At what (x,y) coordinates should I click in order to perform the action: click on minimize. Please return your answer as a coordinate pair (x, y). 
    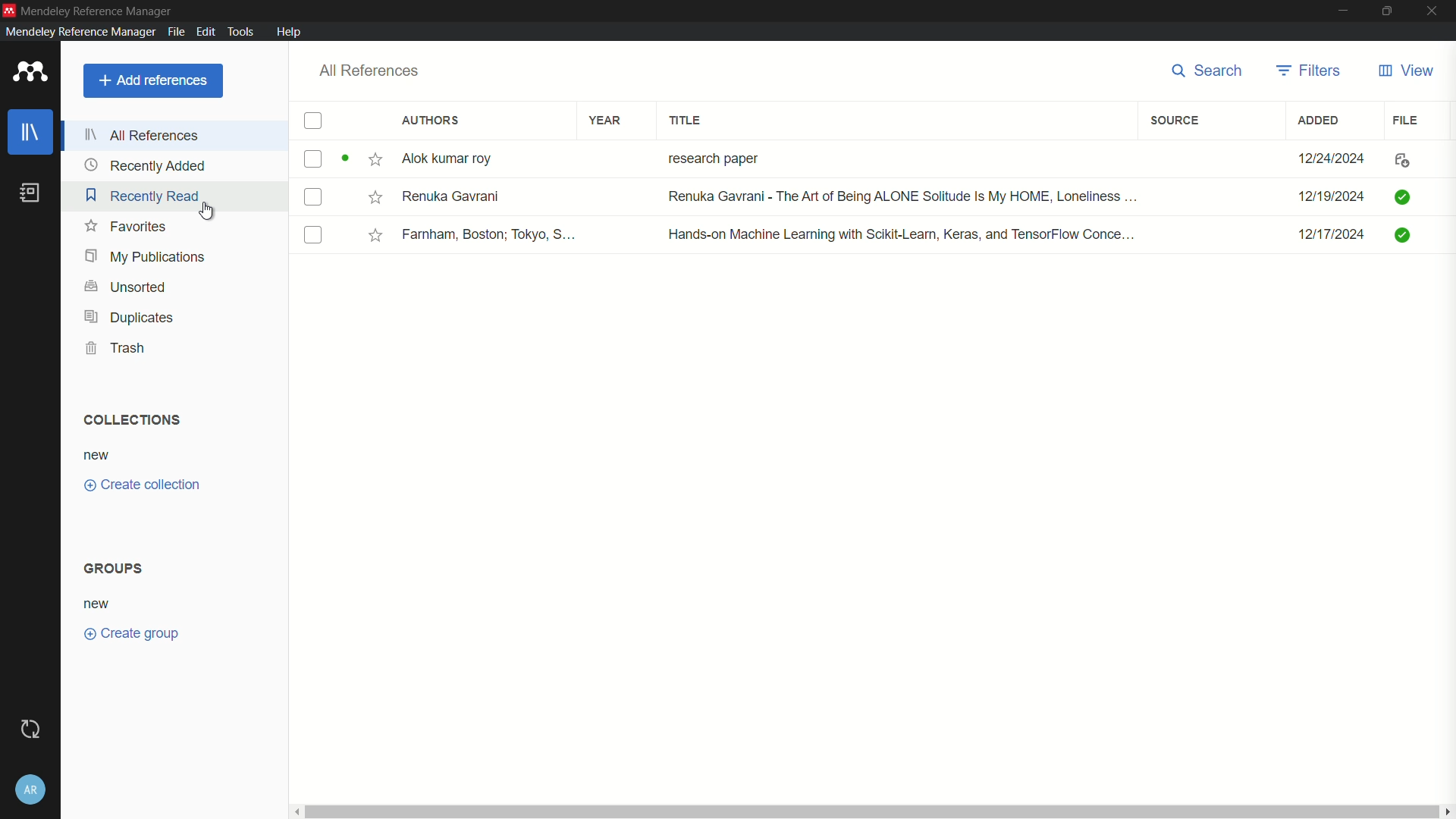
    Looking at the image, I should click on (1341, 10).